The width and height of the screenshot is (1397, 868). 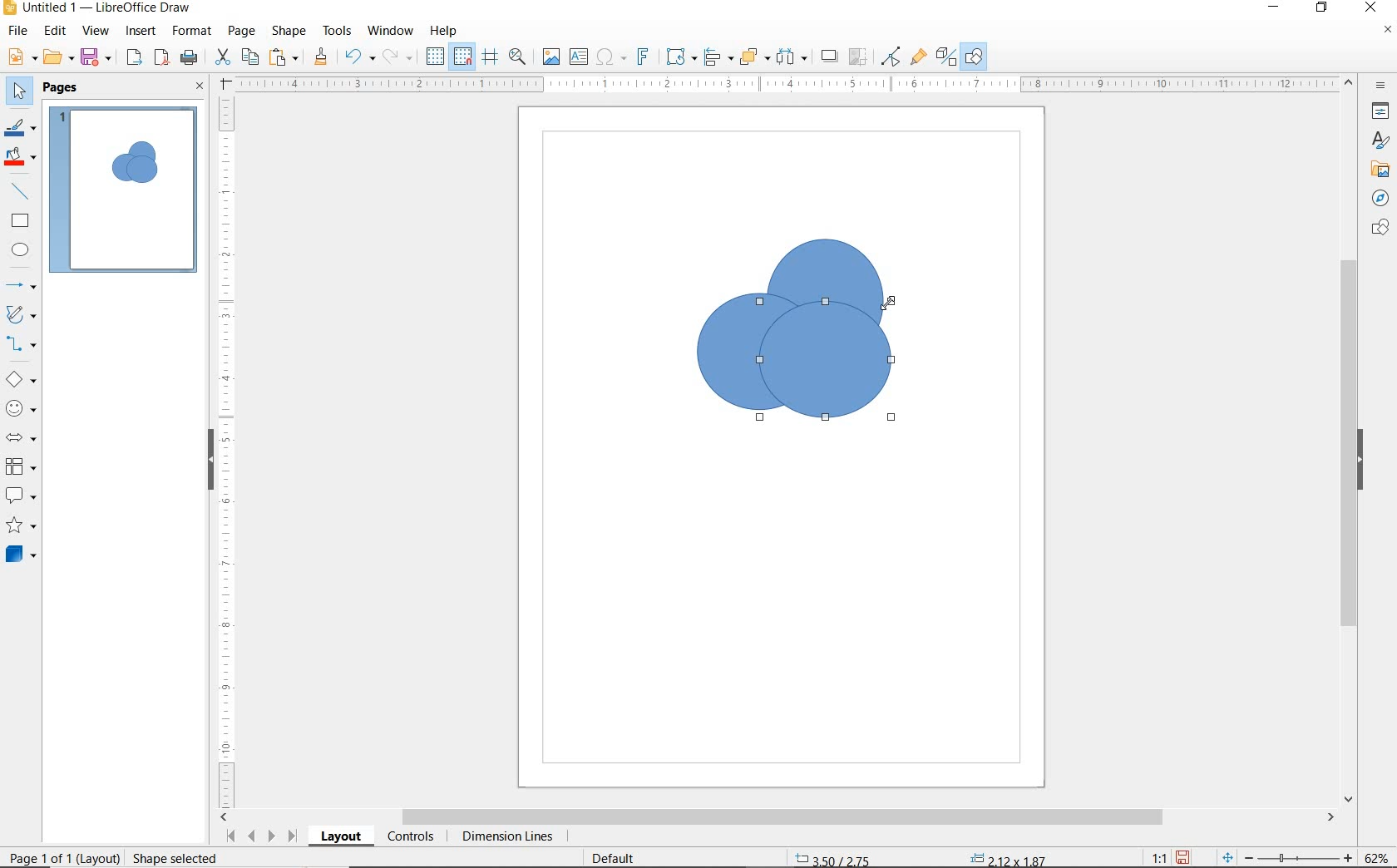 What do you see at coordinates (144, 158) in the screenshot?
I see `CIRCLE ADDED` at bounding box center [144, 158].